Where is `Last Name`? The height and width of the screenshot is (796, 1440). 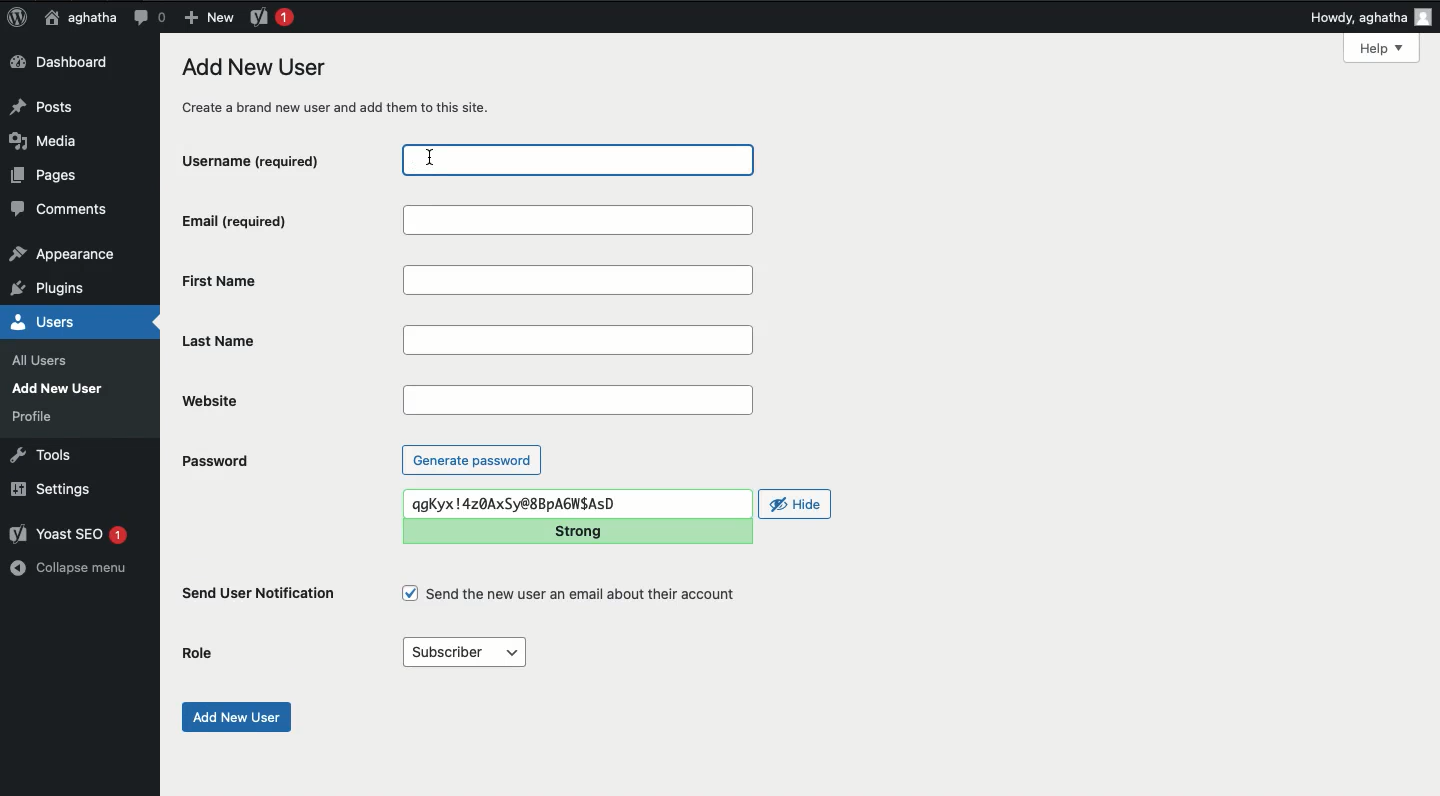
Last Name is located at coordinates (580, 342).